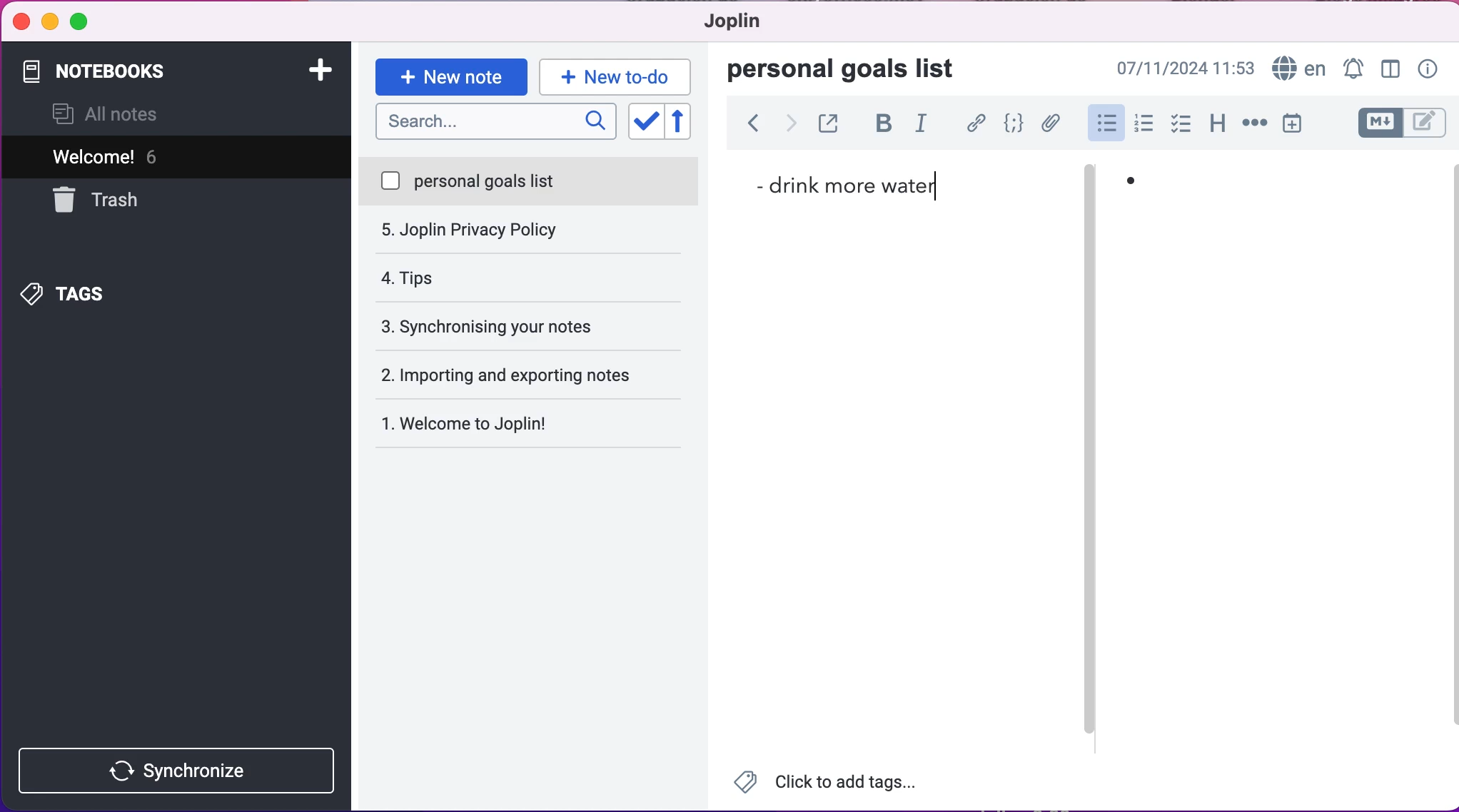 This screenshot has width=1459, height=812. Describe the element at coordinates (1428, 67) in the screenshot. I see `note properties` at that location.